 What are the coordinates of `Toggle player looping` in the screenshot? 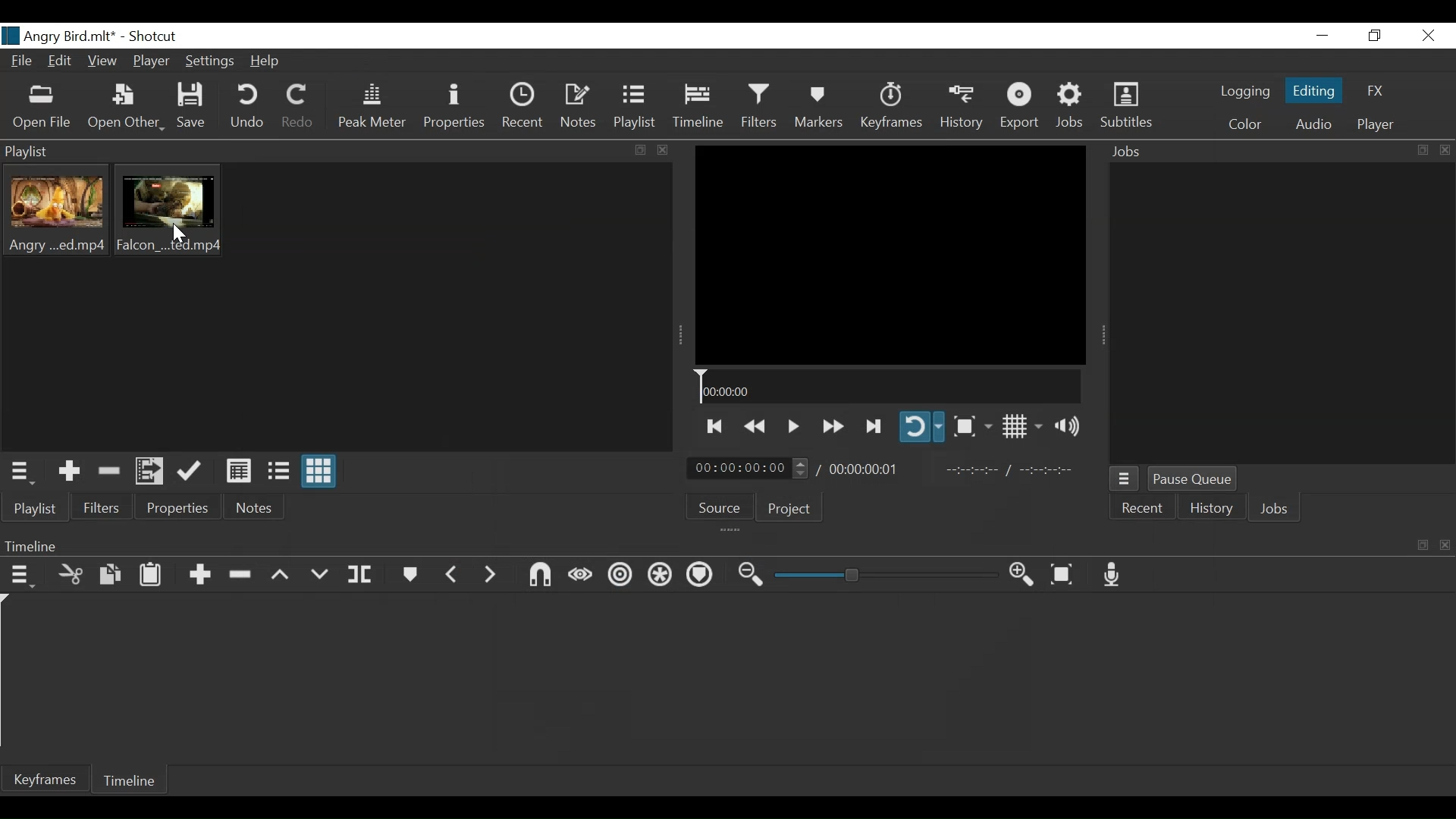 It's located at (921, 426).